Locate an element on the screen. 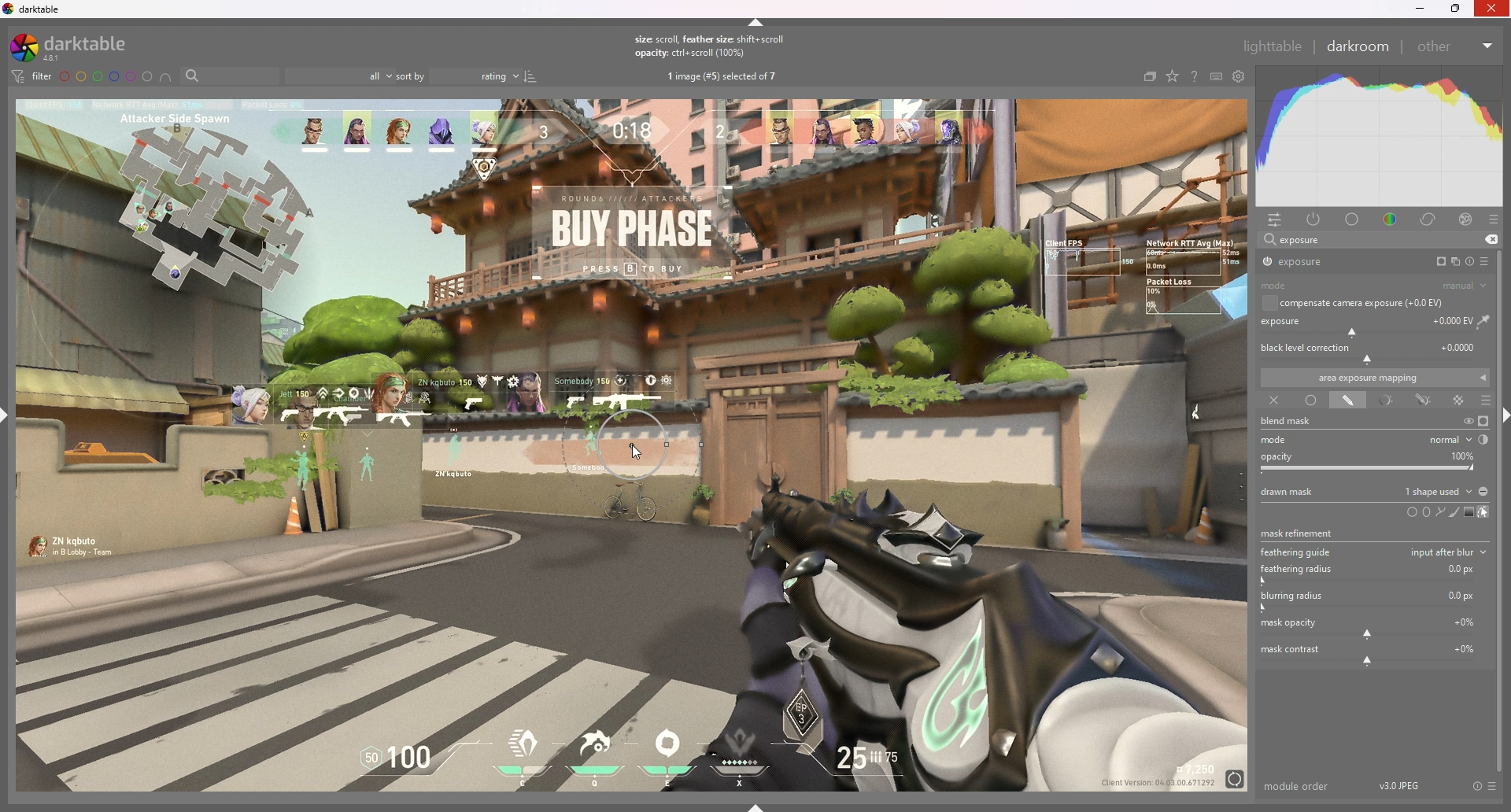  show is located at coordinates (756, 806).